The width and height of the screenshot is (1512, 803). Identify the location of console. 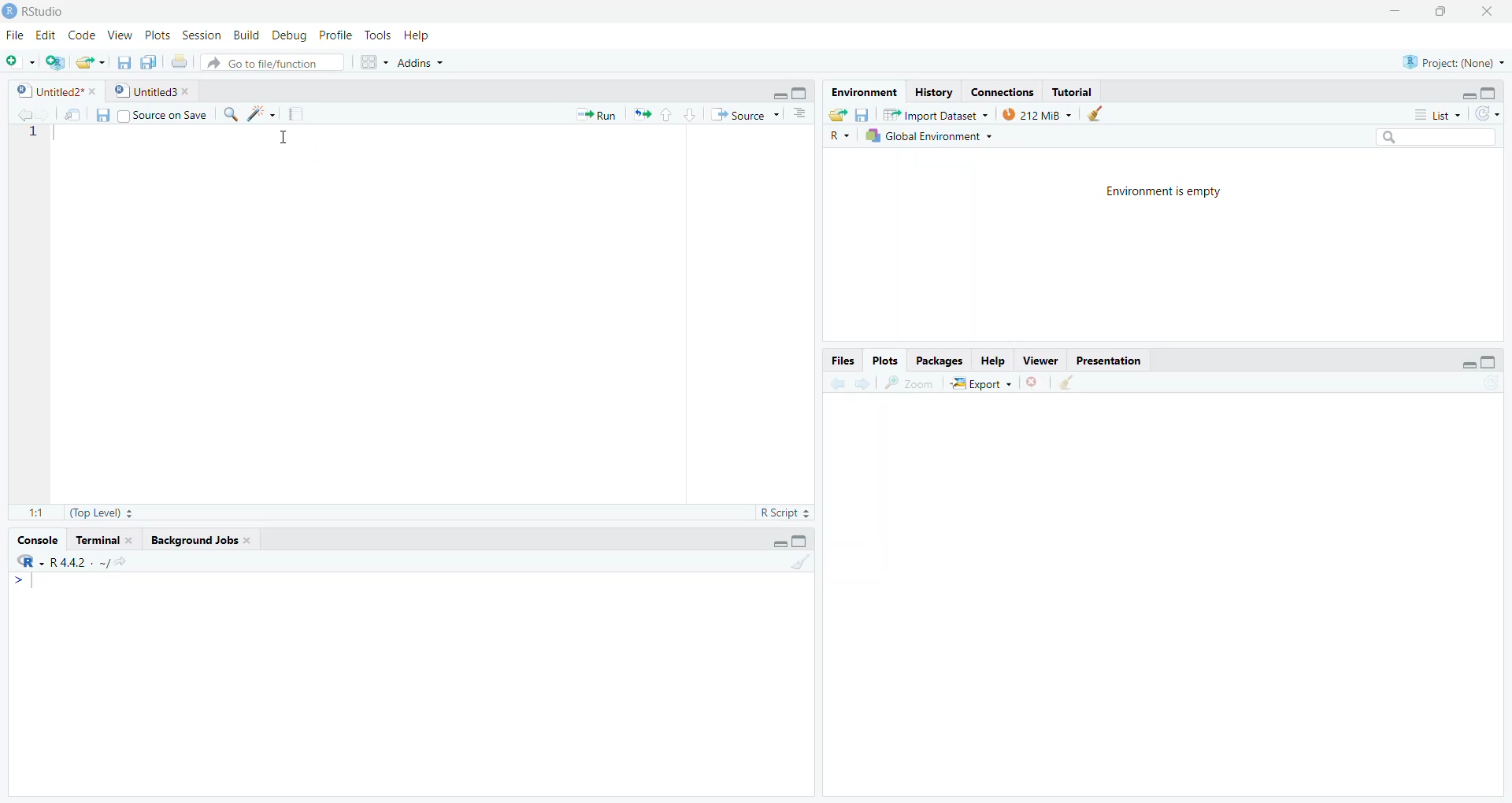
(33, 540).